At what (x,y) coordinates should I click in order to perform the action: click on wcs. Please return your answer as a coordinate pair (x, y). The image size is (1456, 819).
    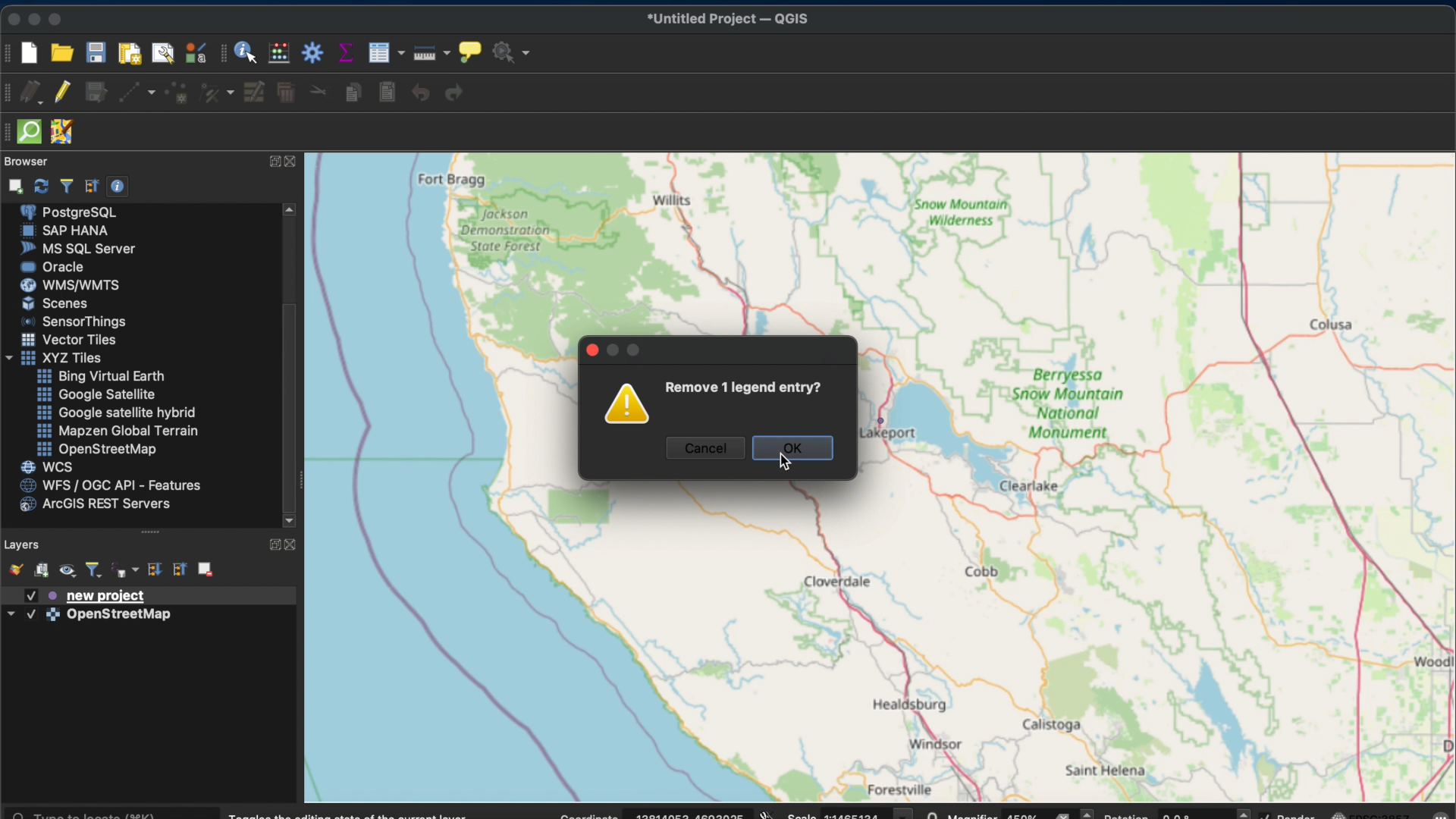
    Looking at the image, I should click on (46, 466).